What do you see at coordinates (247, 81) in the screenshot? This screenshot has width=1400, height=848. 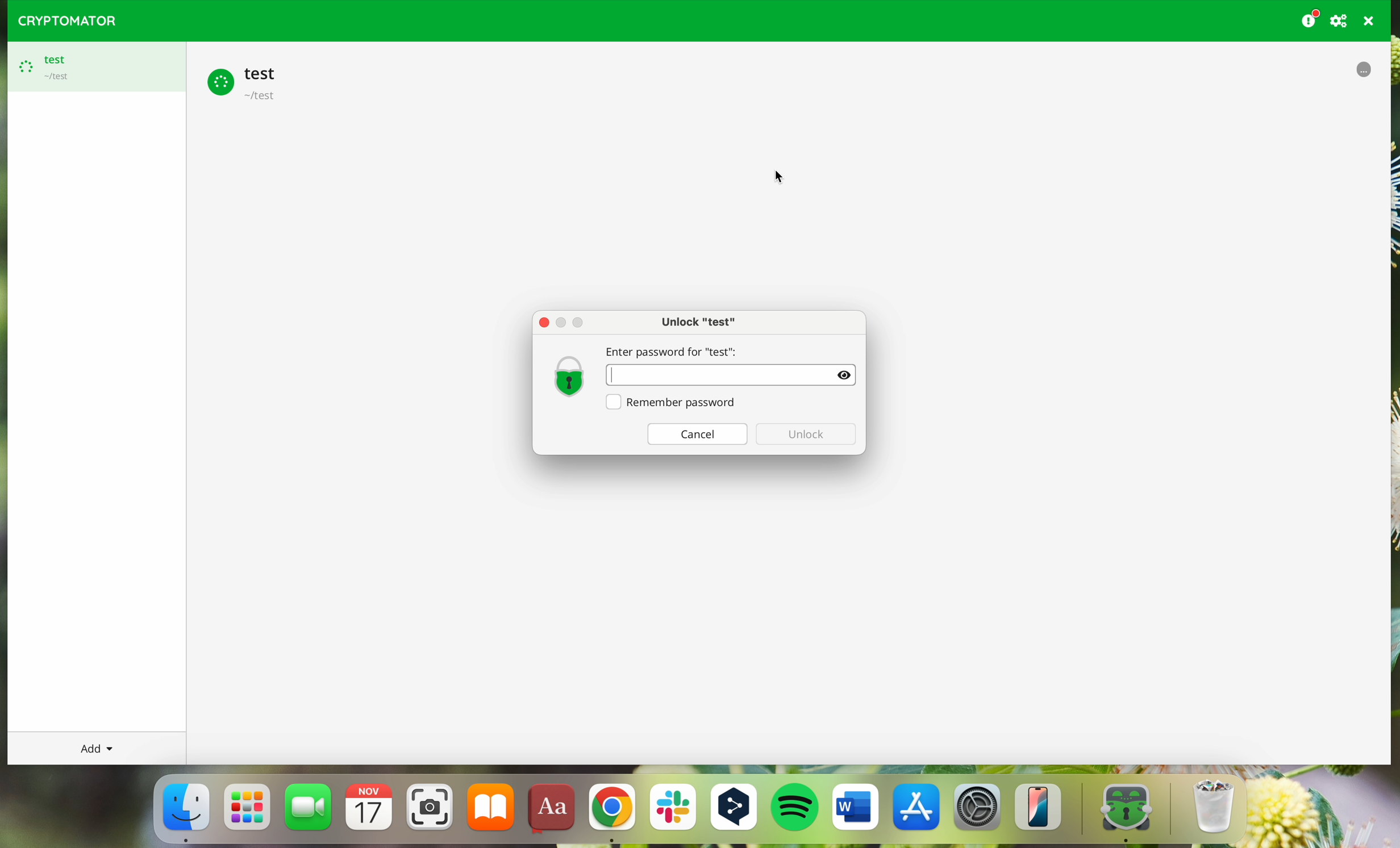 I see `test vault` at bounding box center [247, 81].